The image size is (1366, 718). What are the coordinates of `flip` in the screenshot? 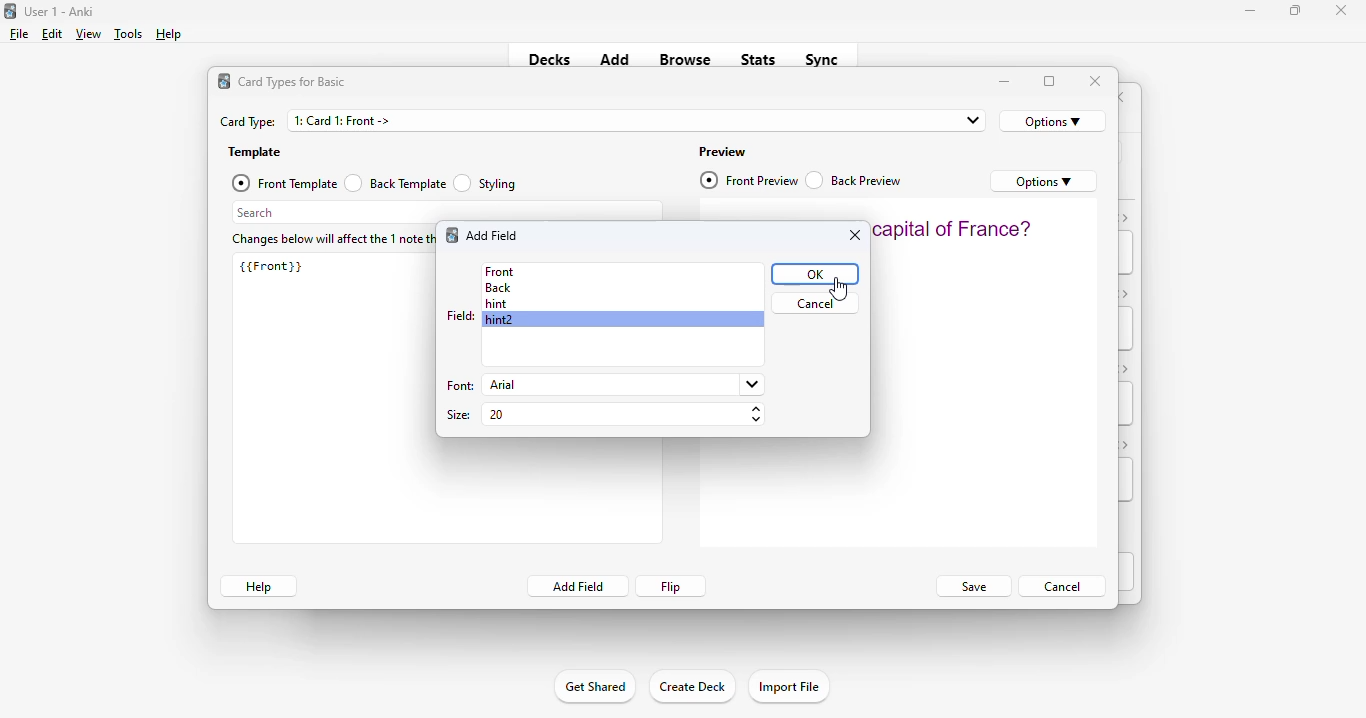 It's located at (672, 586).